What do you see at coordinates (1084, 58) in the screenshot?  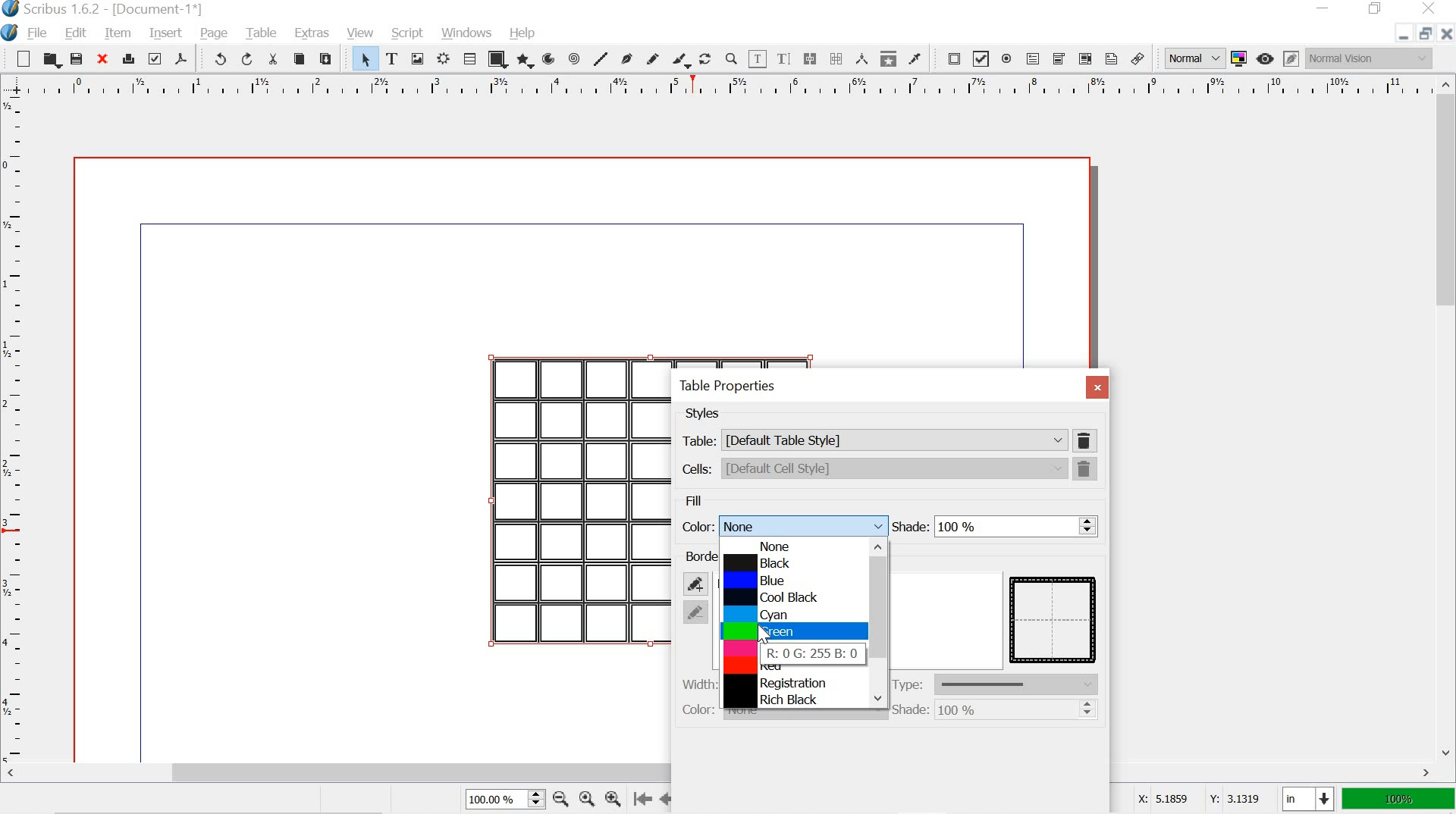 I see `pdf list box` at bounding box center [1084, 58].